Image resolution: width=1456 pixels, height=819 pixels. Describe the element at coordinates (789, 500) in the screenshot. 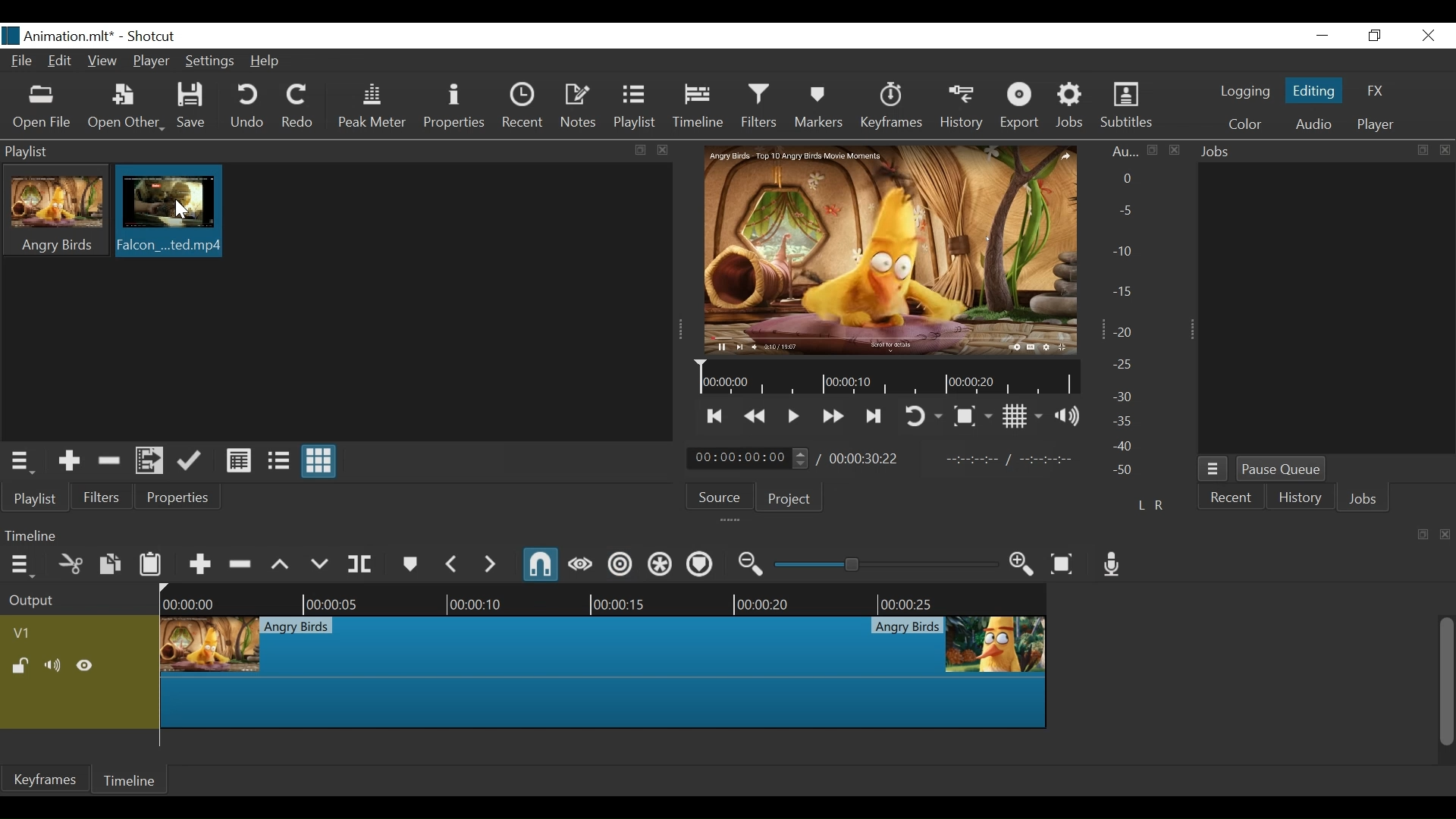

I see `Project` at that location.